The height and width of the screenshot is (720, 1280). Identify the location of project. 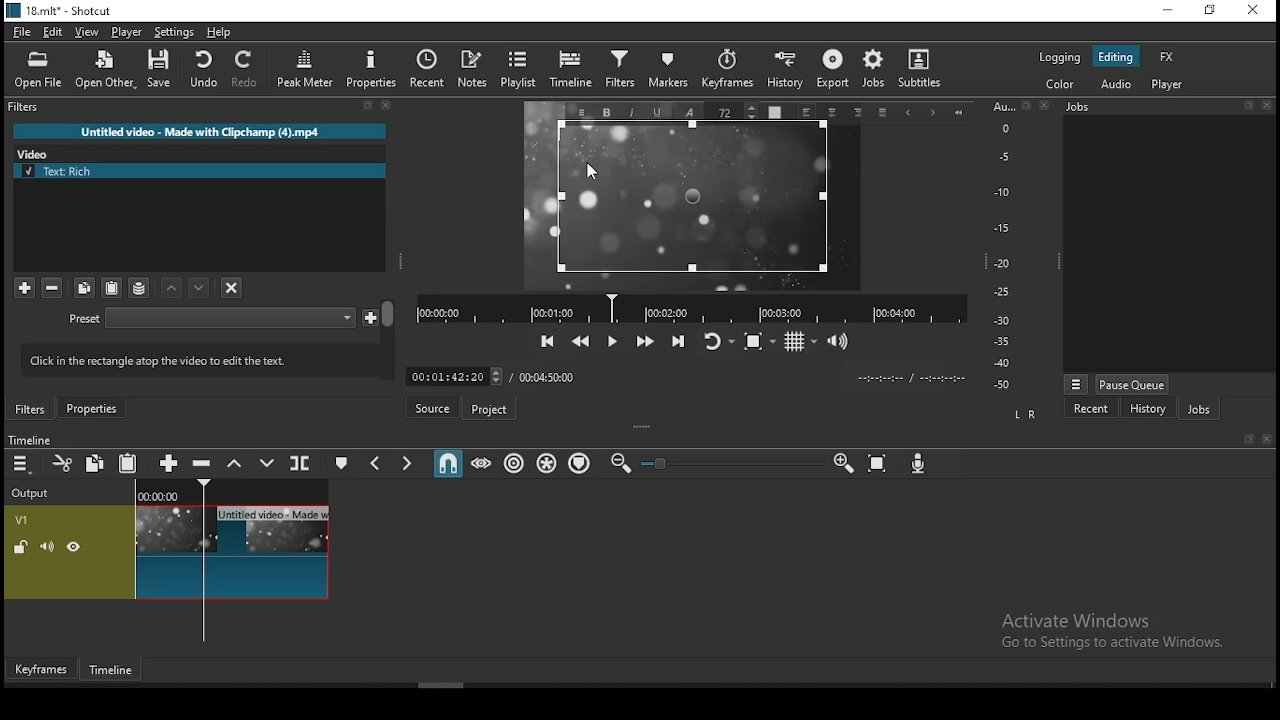
(487, 410).